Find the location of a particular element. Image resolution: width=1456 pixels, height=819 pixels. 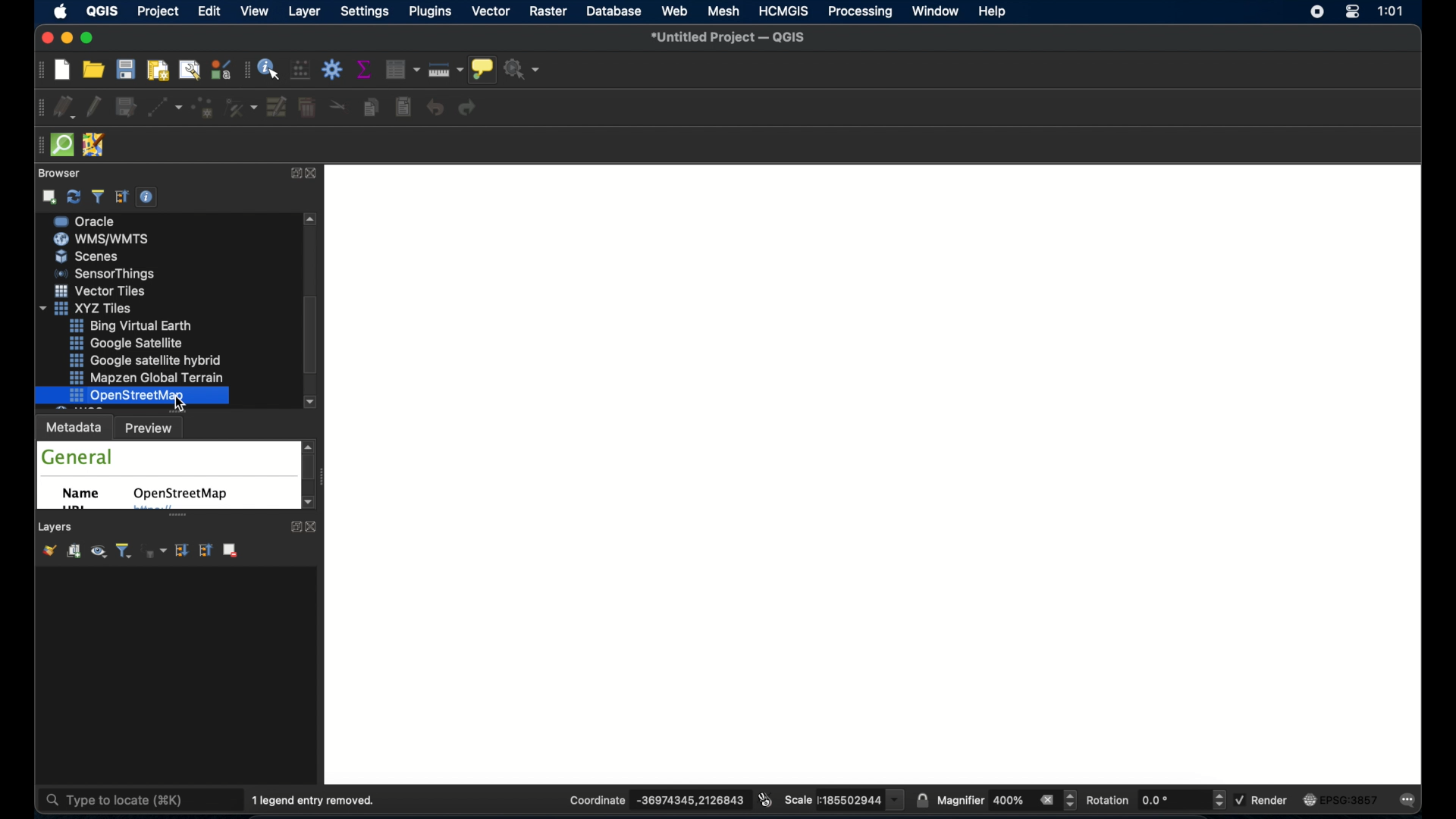

modify. attributes is located at coordinates (278, 108).